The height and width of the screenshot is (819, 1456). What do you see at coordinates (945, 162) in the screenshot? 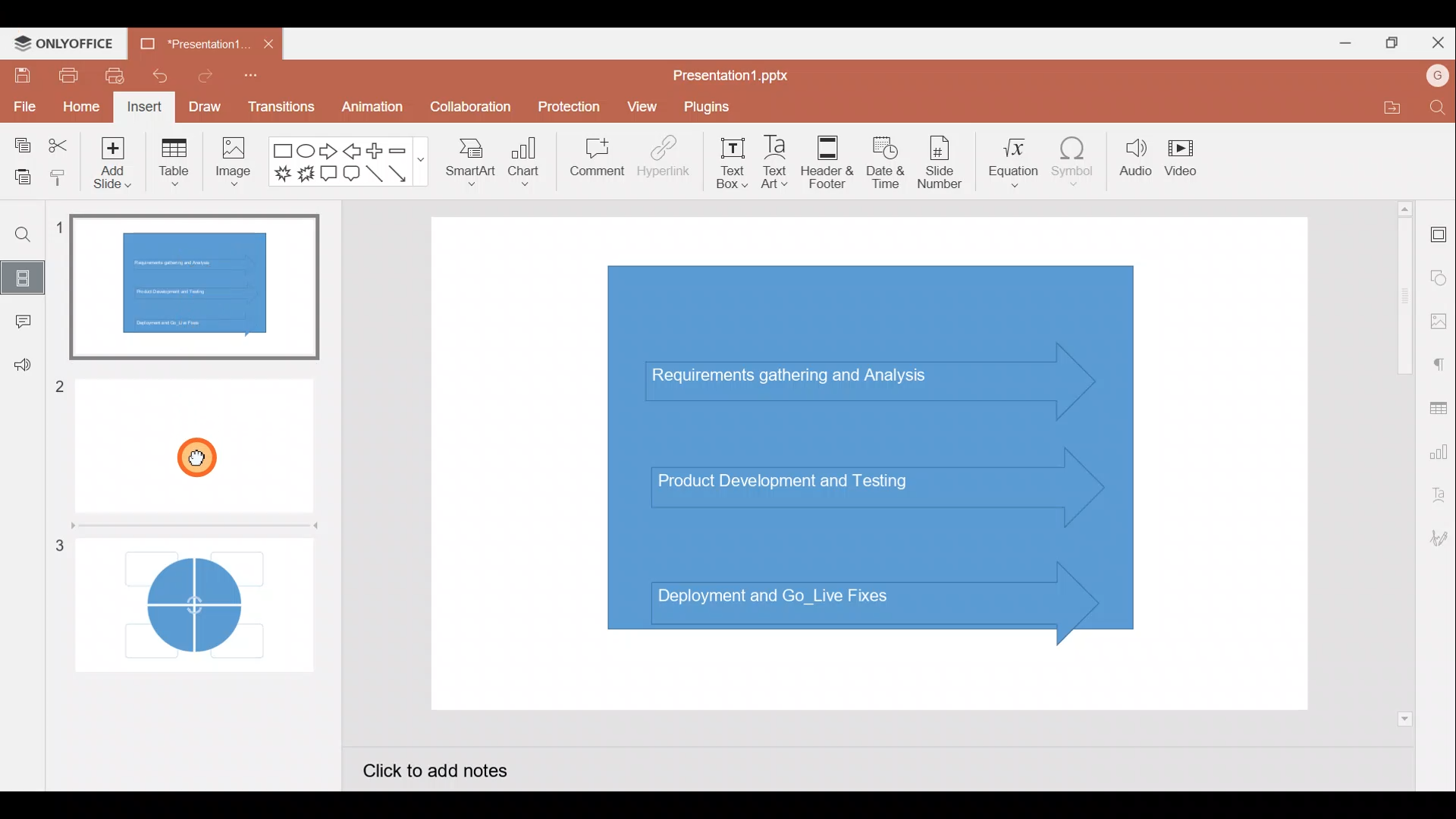
I see `Slide number` at bounding box center [945, 162].